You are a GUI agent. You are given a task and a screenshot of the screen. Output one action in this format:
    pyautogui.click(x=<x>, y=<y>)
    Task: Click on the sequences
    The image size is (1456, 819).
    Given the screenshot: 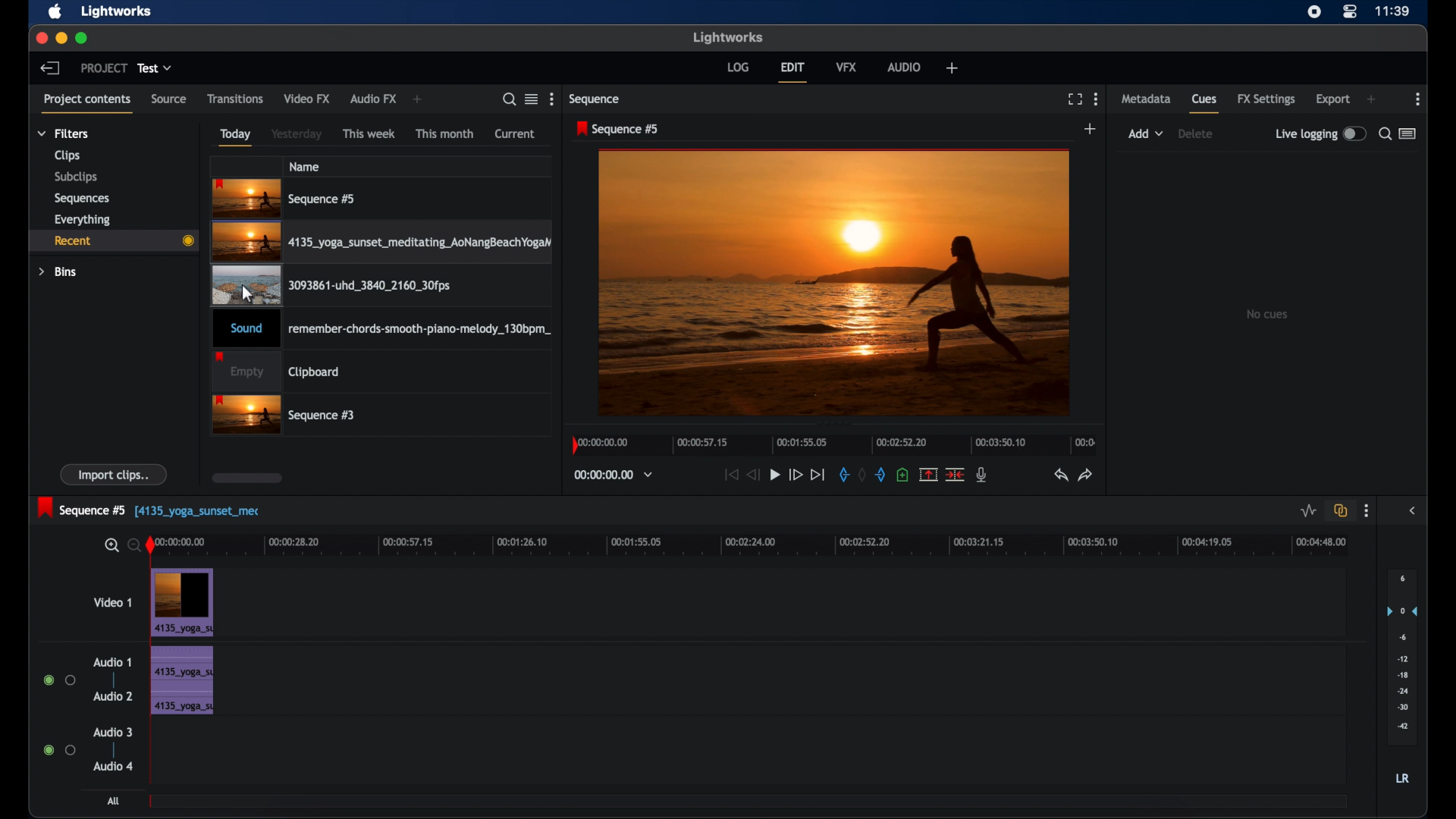 What is the action you would take?
    pyautogui.click(x=81, y=199)
    